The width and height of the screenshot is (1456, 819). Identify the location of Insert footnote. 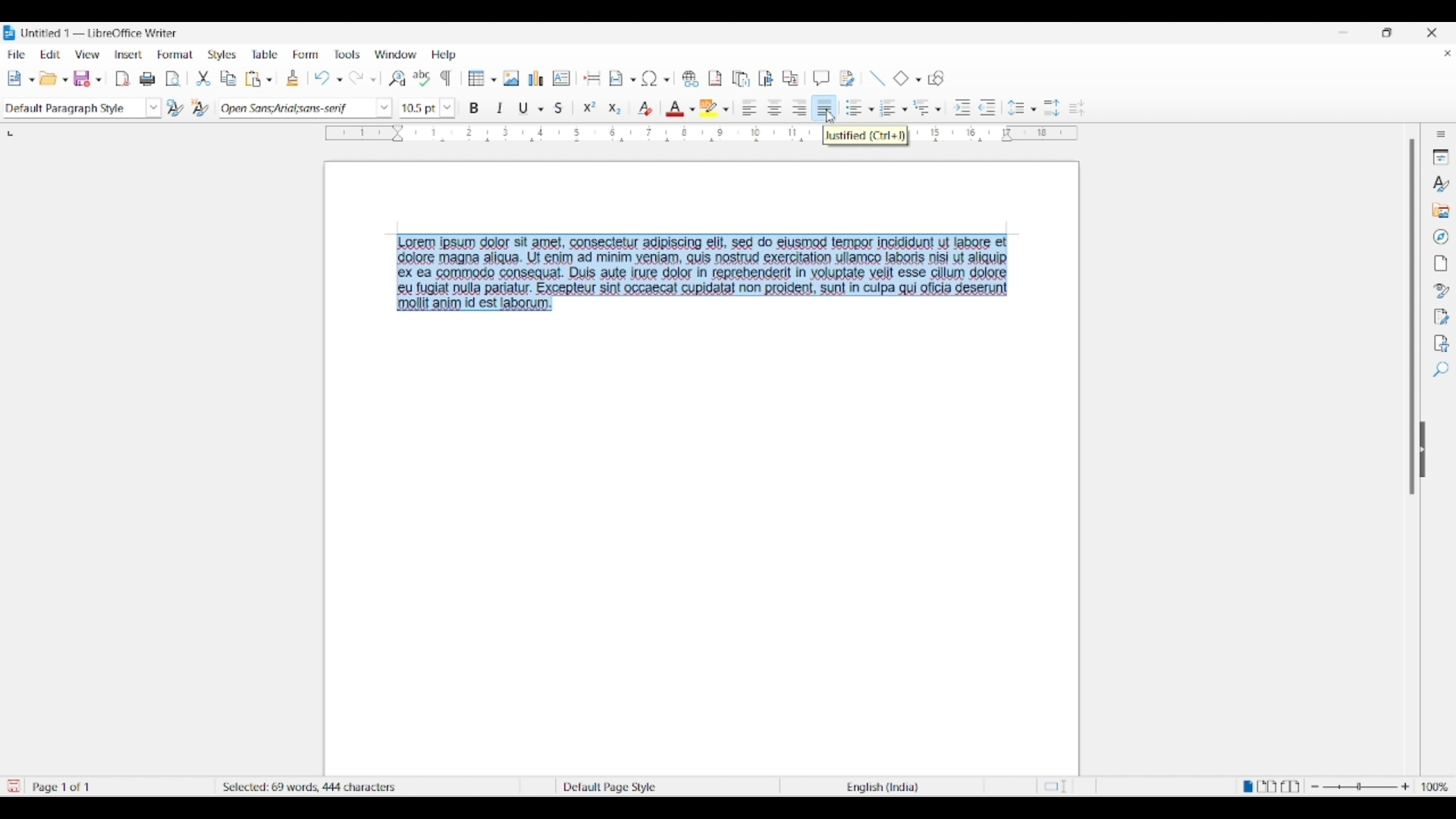
(716, 79).